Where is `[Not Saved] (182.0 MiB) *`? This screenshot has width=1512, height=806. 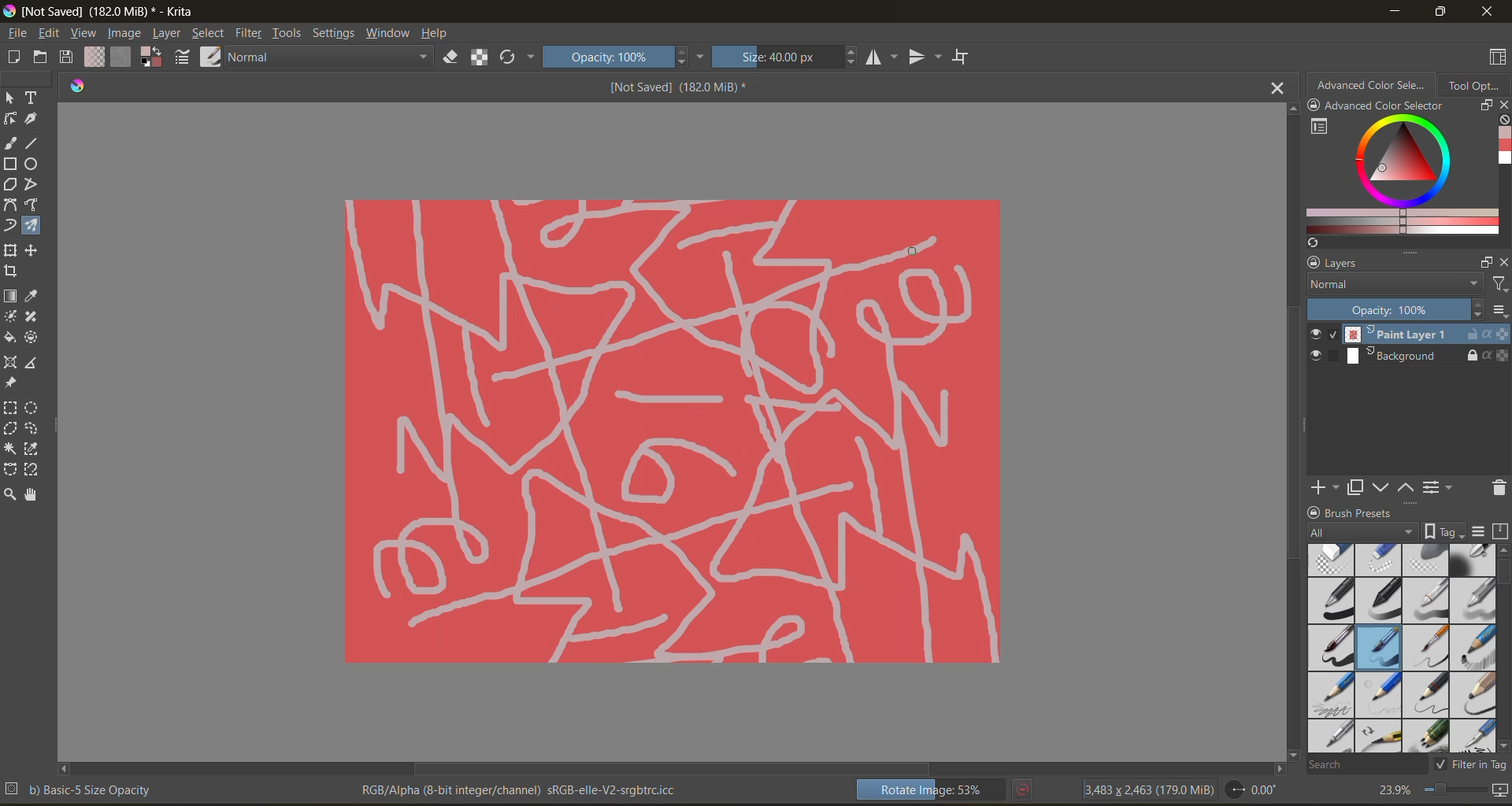 [Not Saved] (182.0 MiB) * is located at coordinates (679, 86).